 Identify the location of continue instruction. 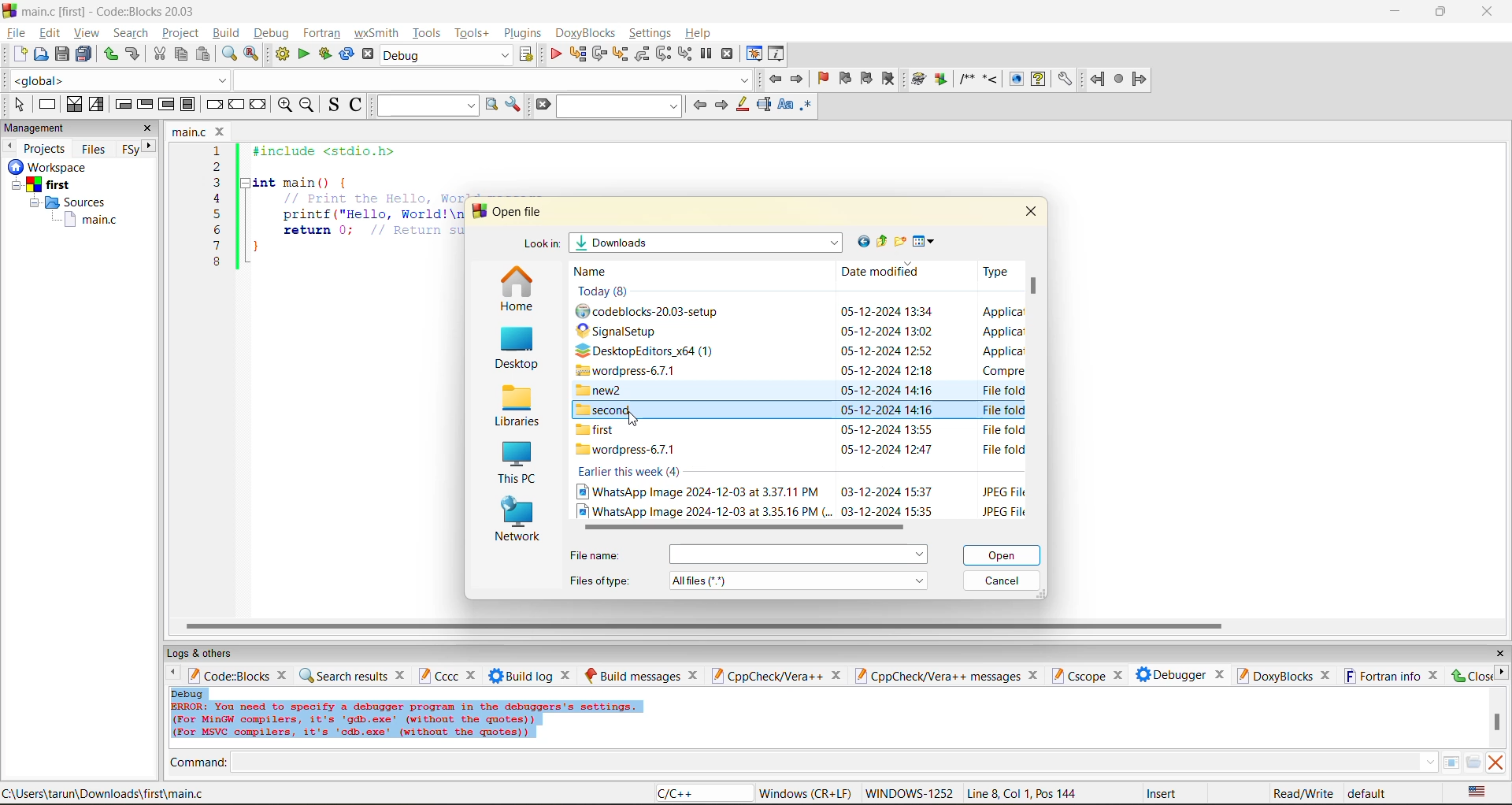
(235, 106).